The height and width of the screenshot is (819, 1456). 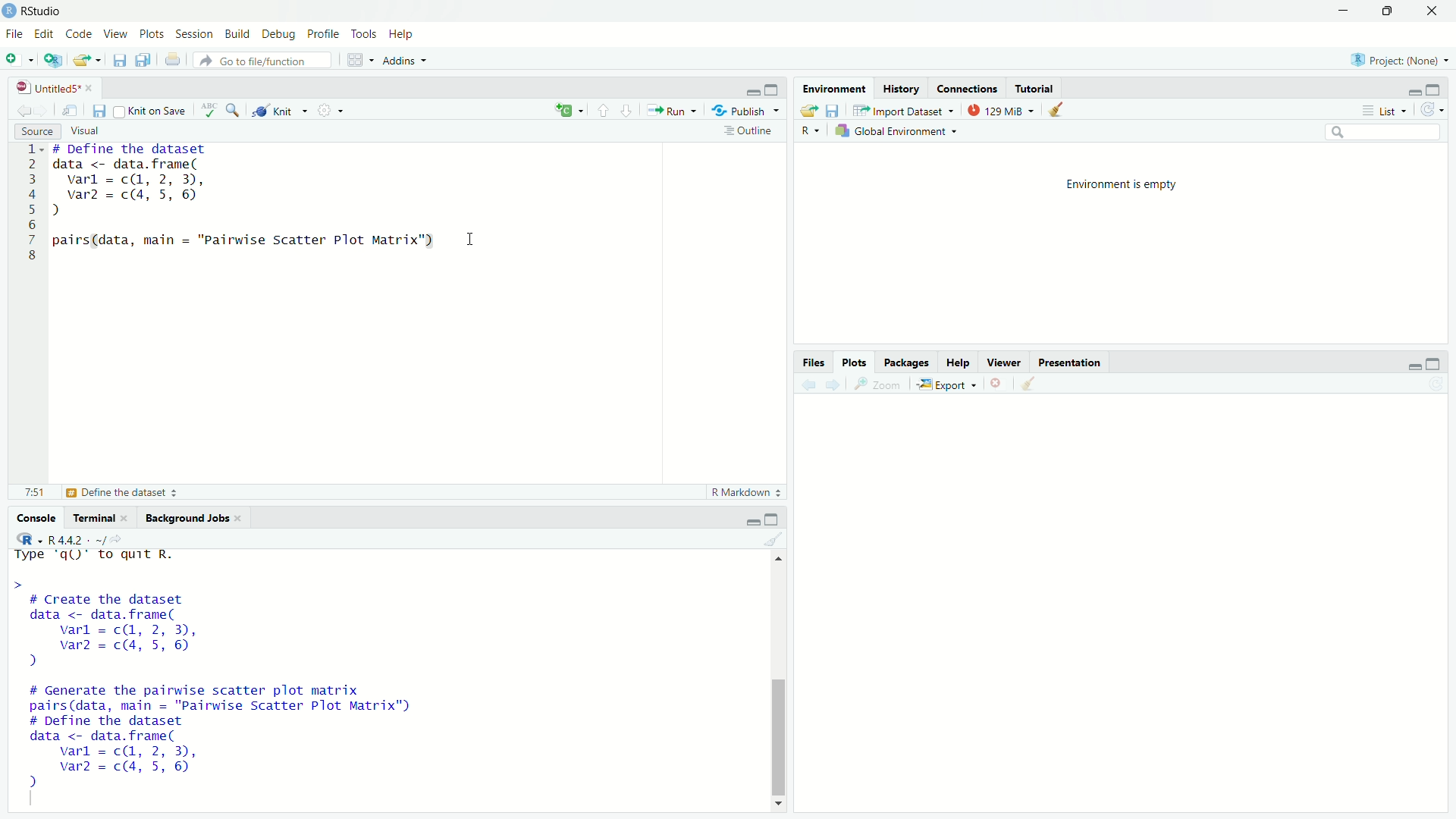 What do you see at coordinates (330, 109) in the screenshot?
I see `Settings` at bounding box center [330, 109].